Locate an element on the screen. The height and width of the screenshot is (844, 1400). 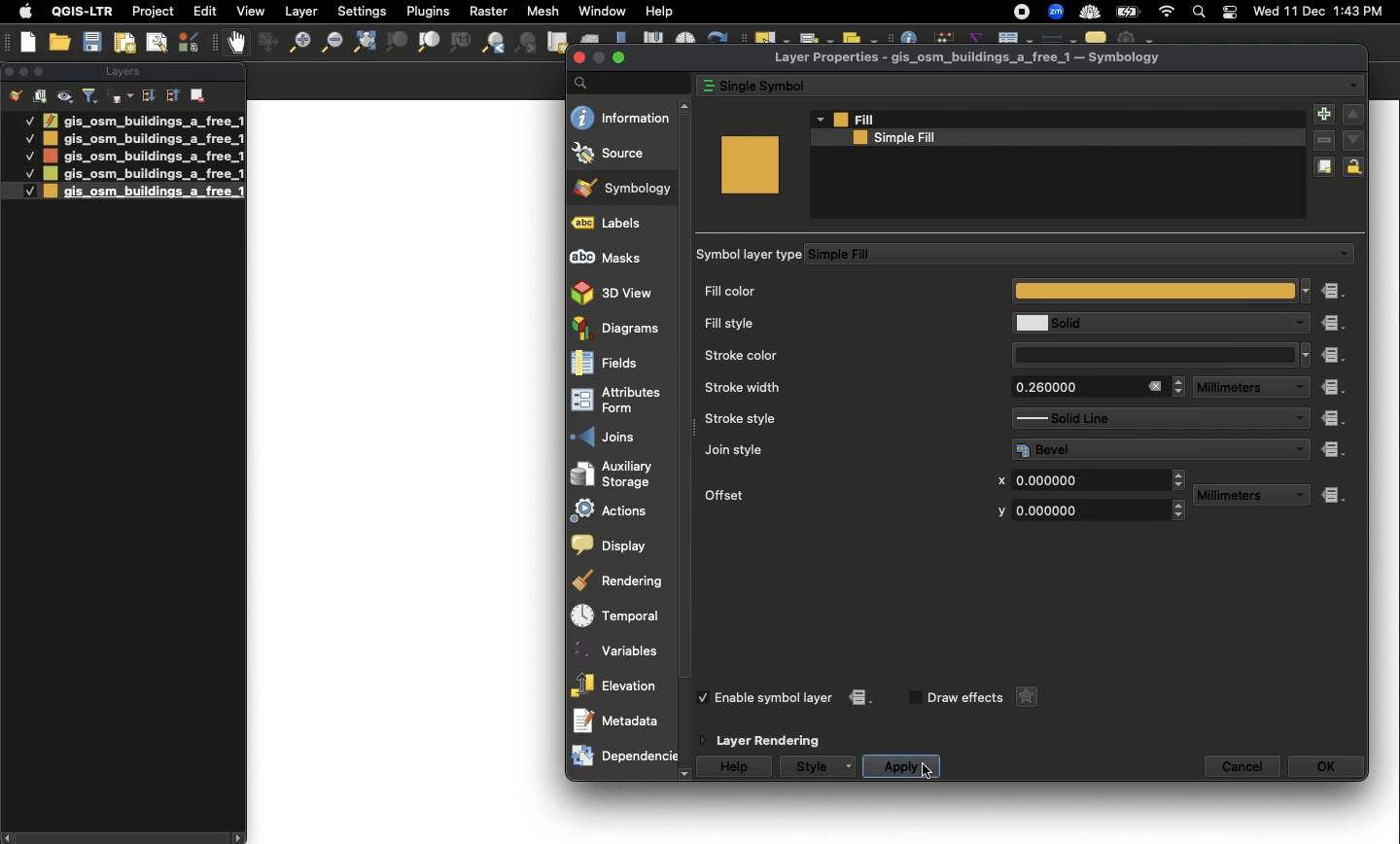
 is located at coordinates (9, 43).